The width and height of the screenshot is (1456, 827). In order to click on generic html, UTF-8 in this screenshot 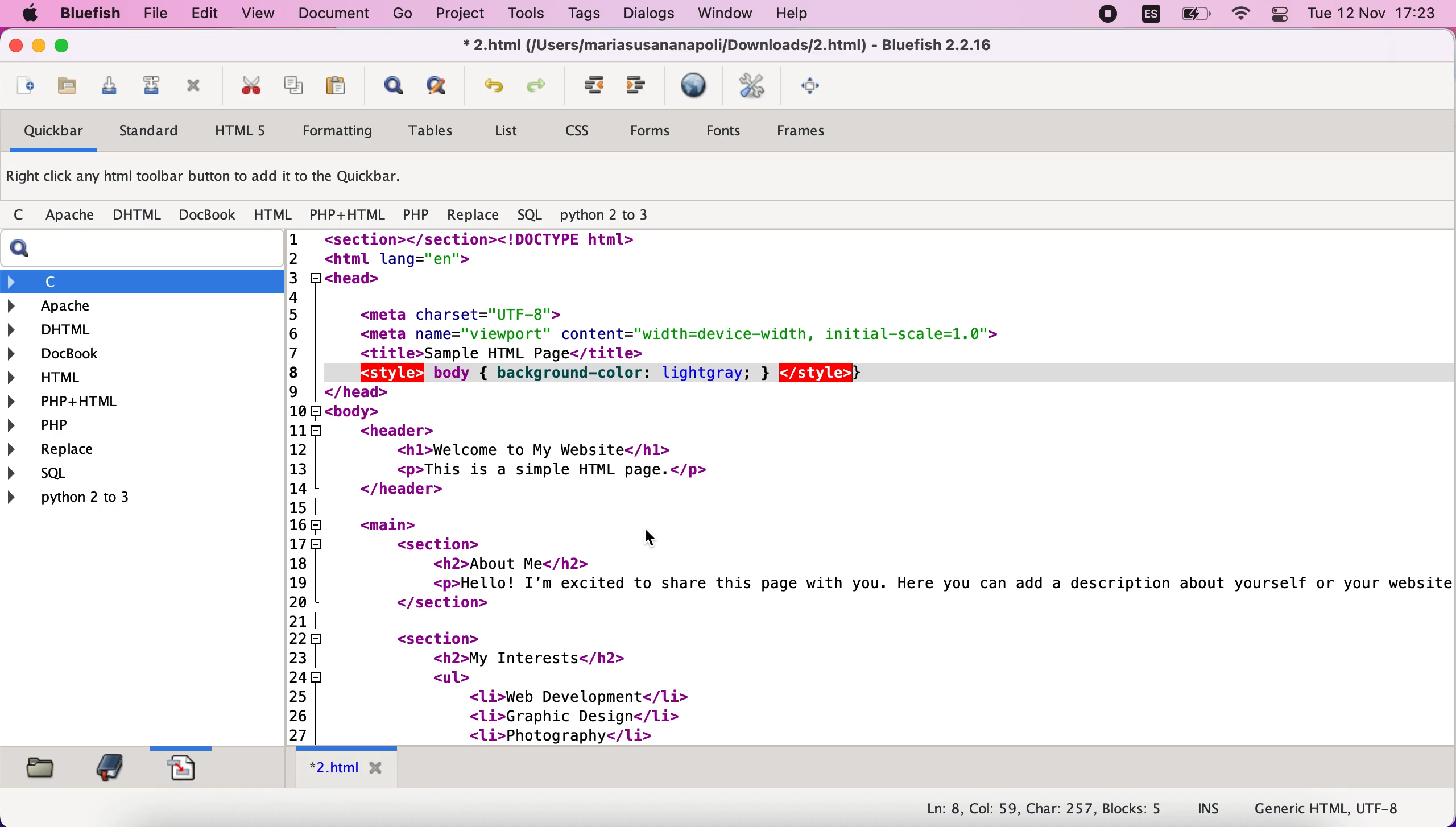, I will do `click(1333, 809)`.